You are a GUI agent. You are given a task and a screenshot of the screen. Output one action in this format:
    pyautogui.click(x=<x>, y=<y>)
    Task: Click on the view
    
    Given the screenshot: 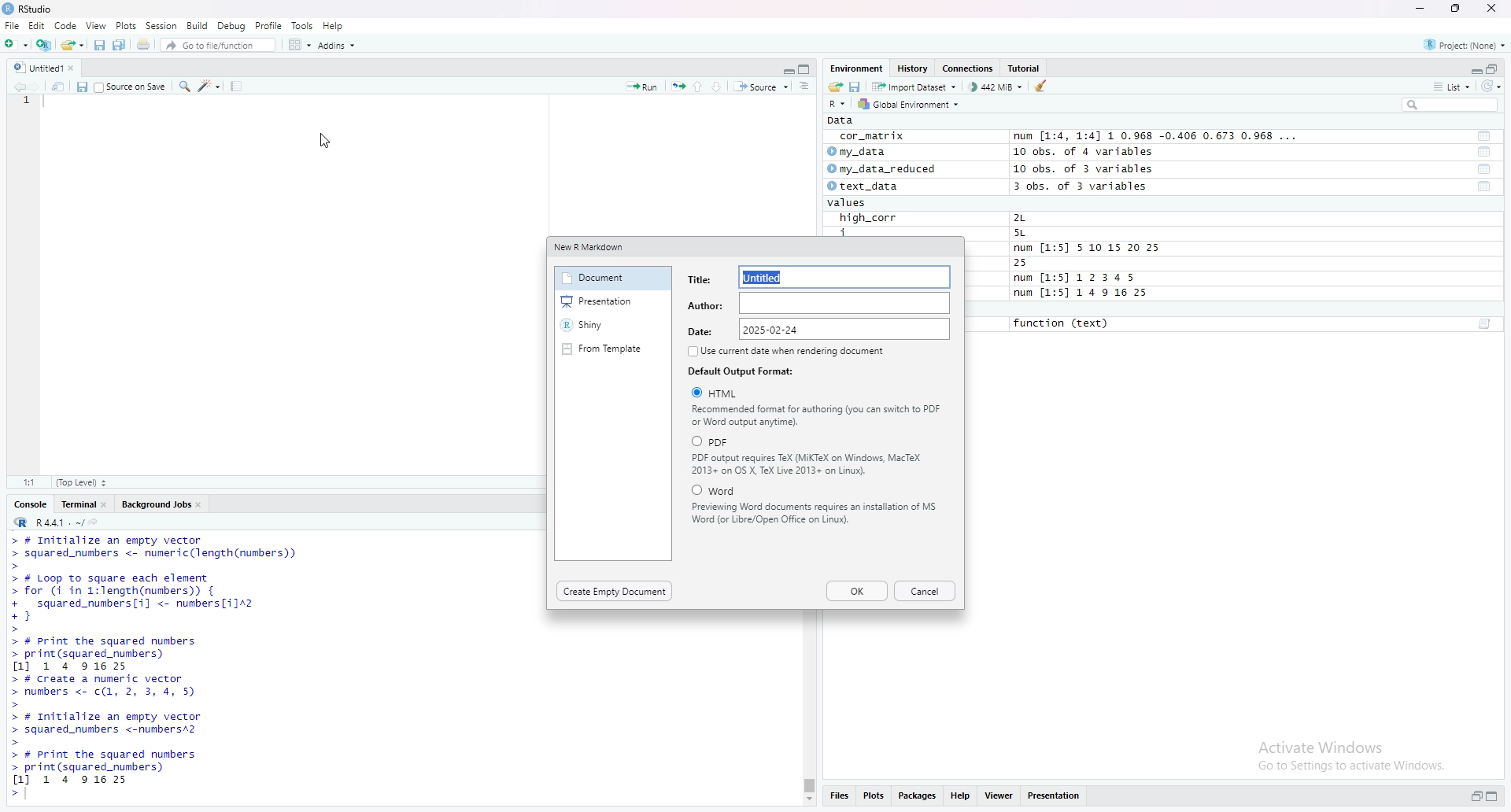 What is the action you would take?
    pyautogui.click(x=94, y=25)
    